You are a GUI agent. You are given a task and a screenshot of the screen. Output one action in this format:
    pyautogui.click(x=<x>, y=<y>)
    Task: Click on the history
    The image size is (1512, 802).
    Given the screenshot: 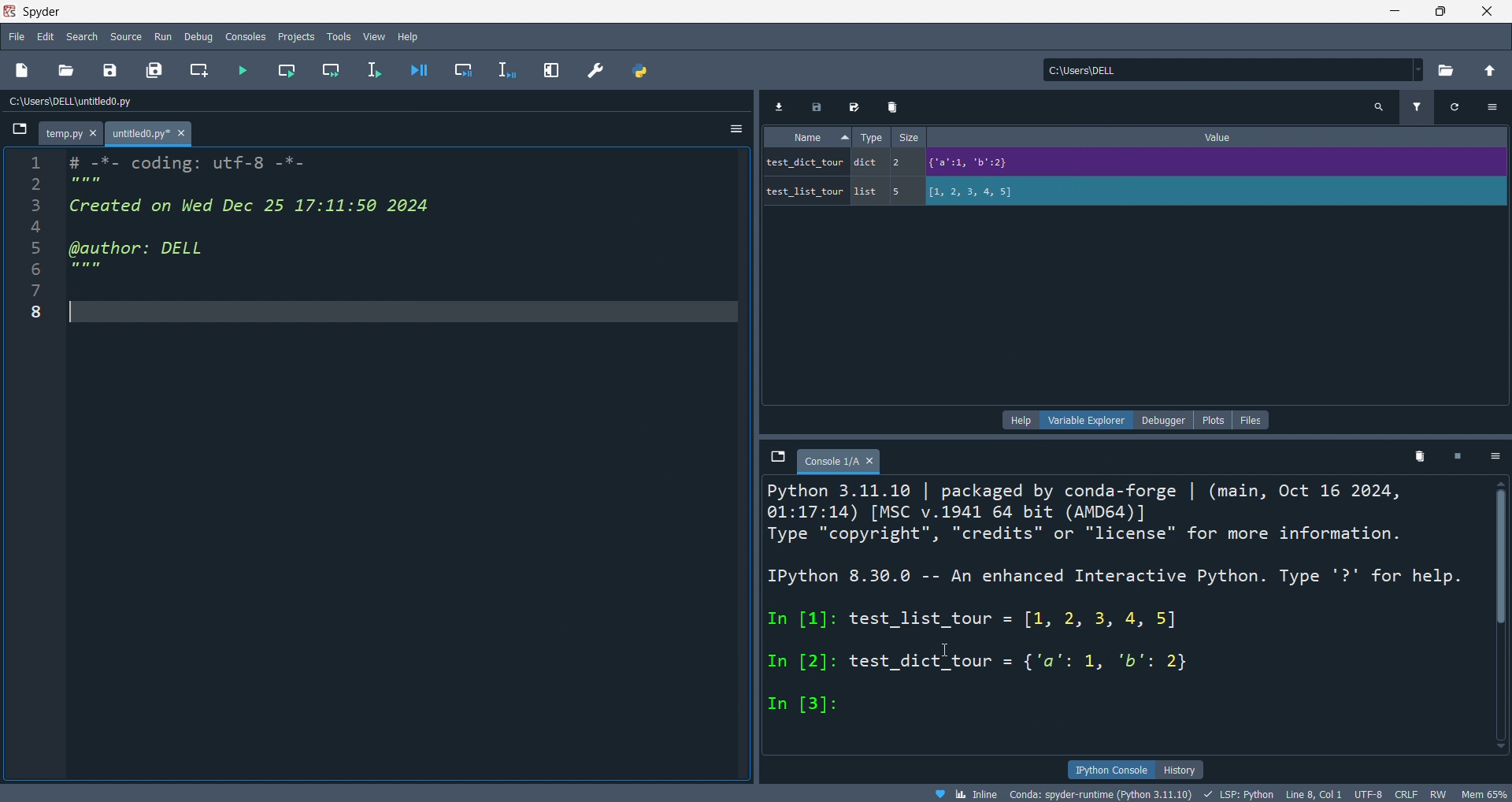 What is the action you would take?
    pyautogui.click(x=1185, y=769)
    